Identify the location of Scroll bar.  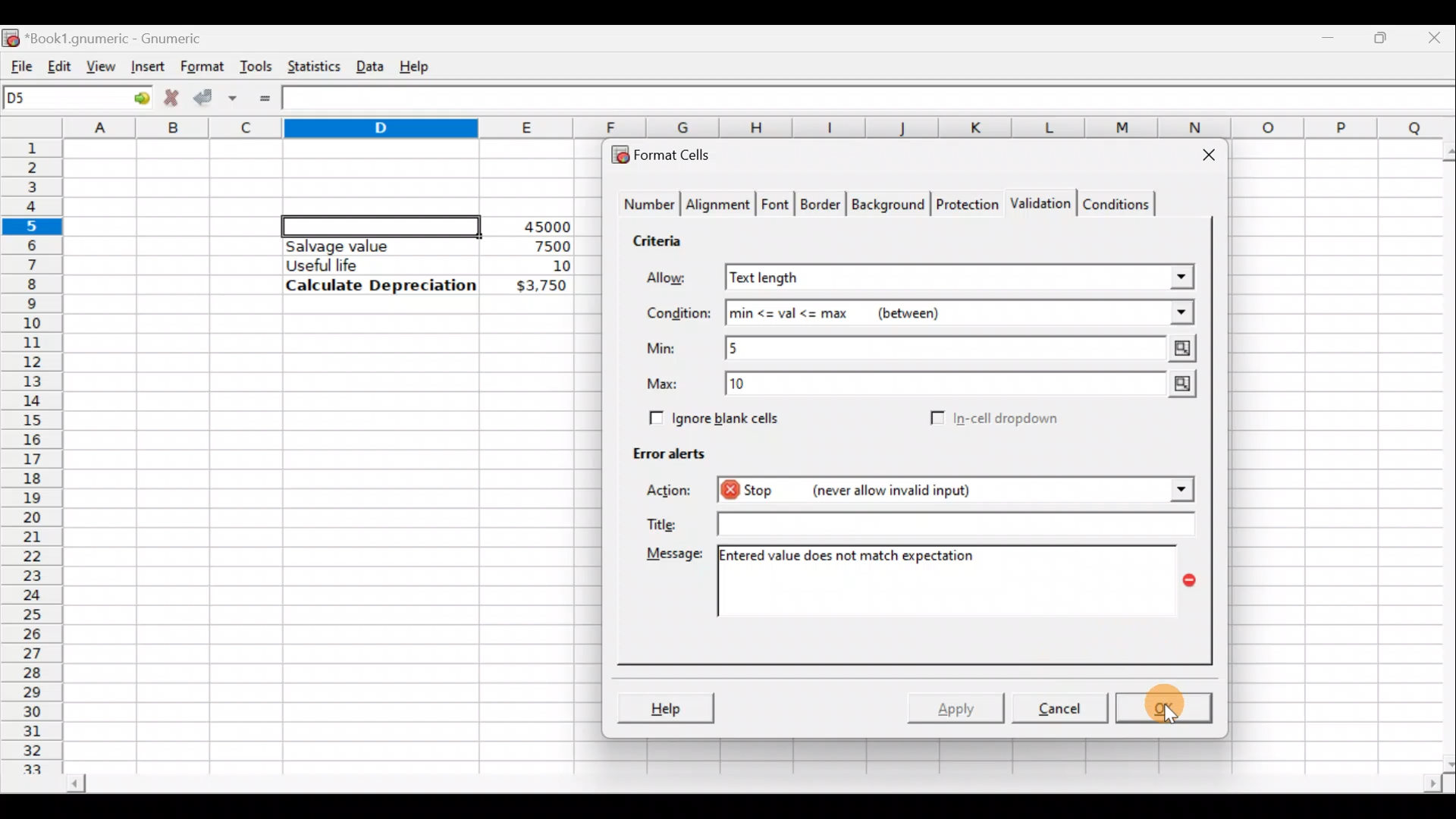
(752, 786).